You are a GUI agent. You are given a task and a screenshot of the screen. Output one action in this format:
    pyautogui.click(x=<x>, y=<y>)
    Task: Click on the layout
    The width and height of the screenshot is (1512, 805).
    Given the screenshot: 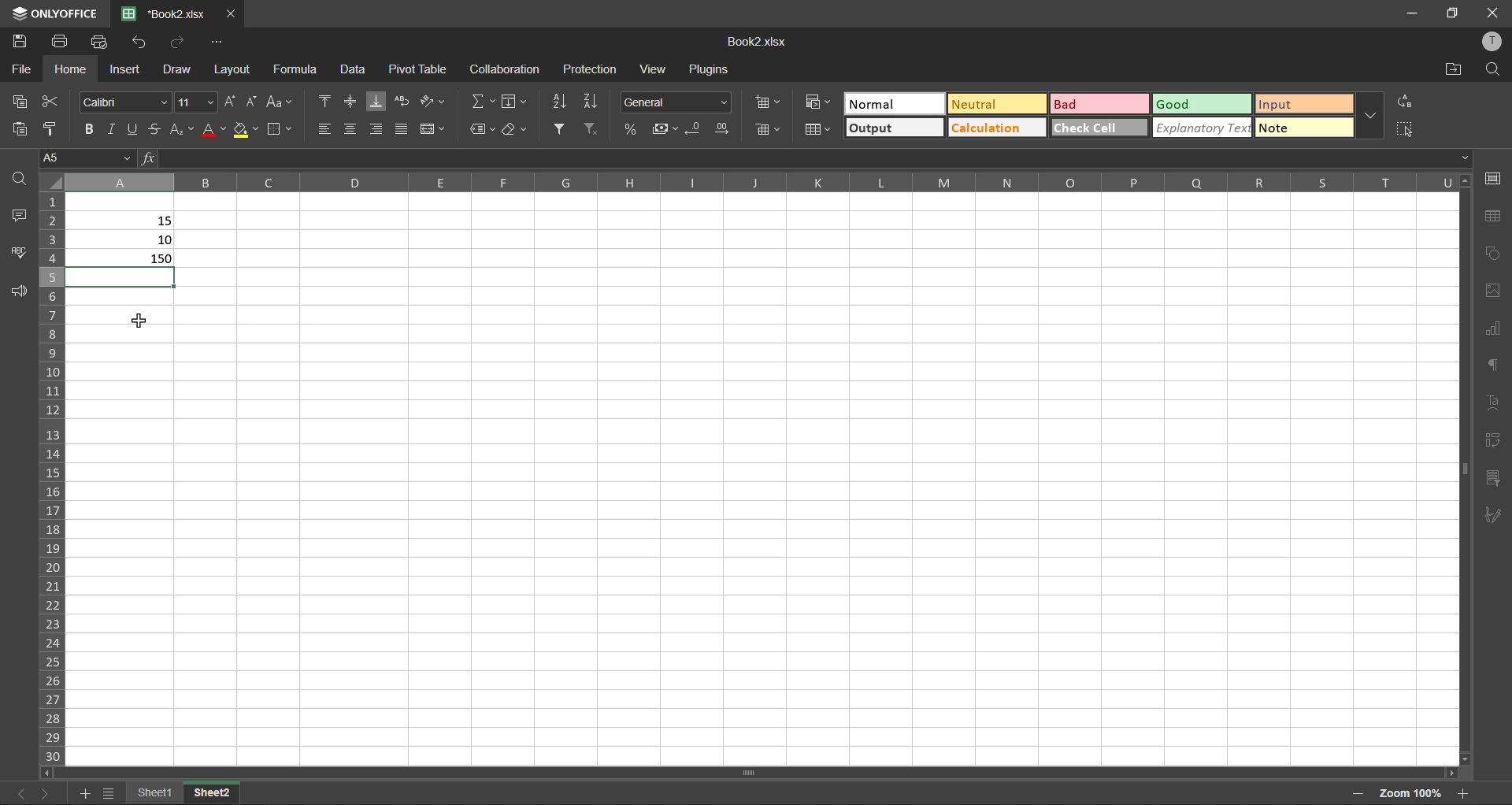 What is the action you would take?
    pyautogui.click(x=232, y=71)
    